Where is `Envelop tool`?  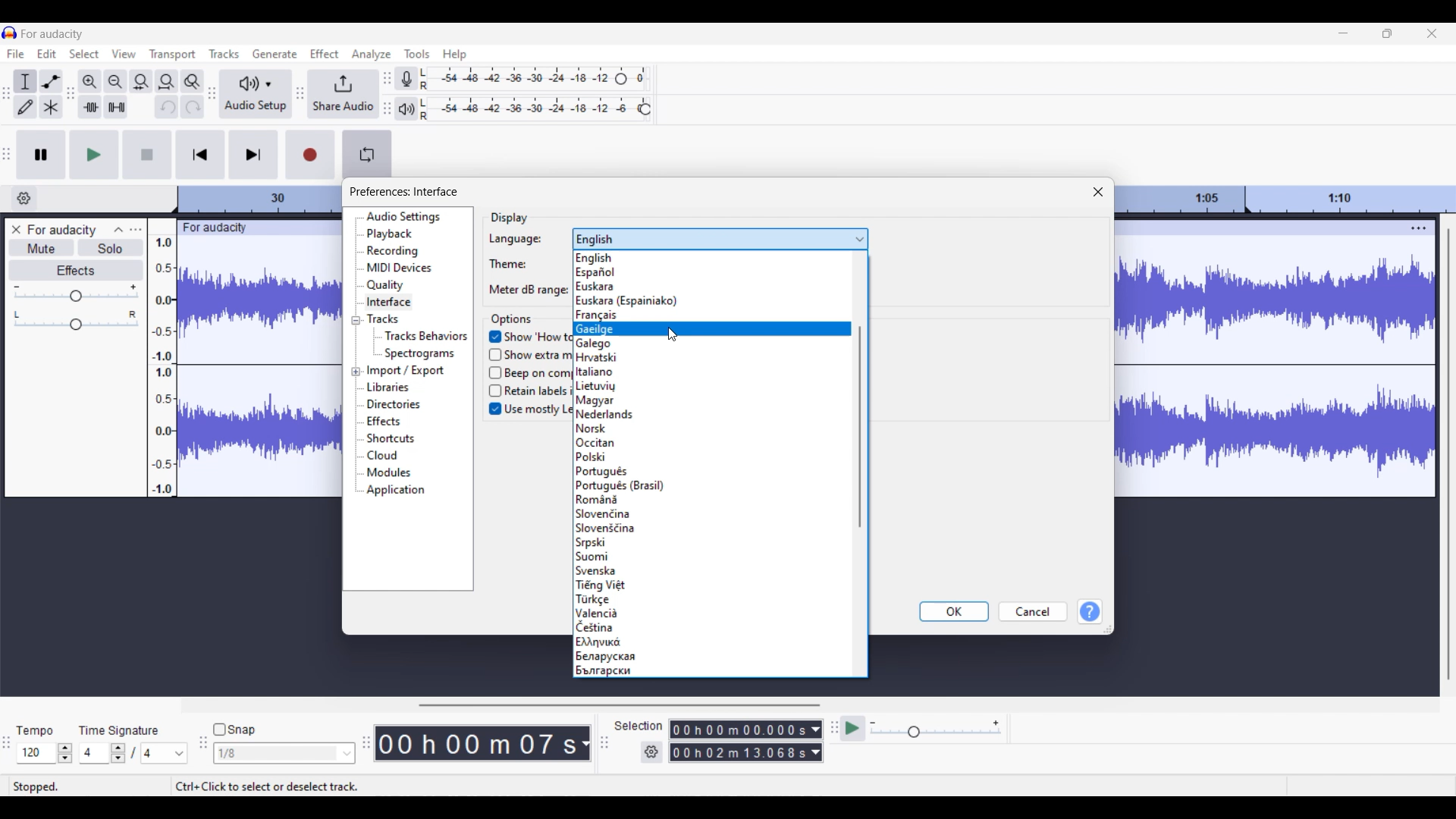
Envelop tool is located at coordinates (51, 81).